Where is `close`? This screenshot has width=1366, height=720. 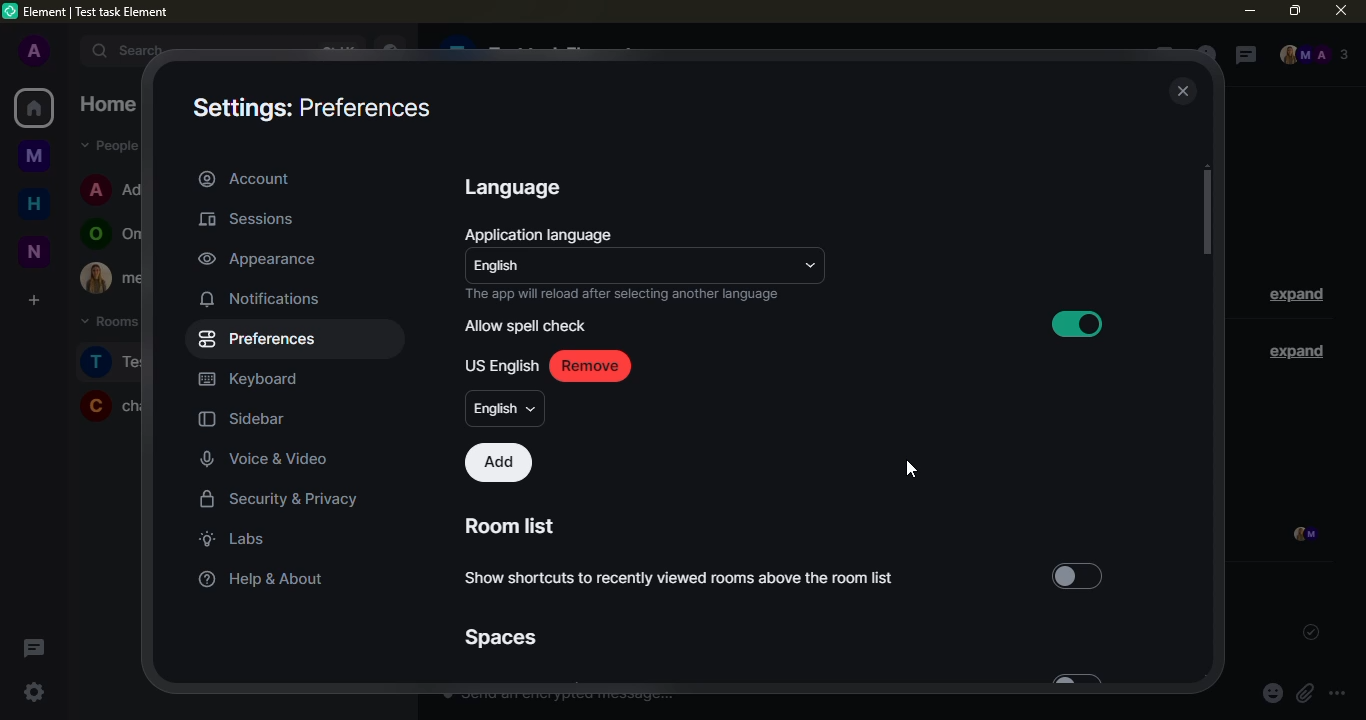
close is located at coordinates (1184, 92).